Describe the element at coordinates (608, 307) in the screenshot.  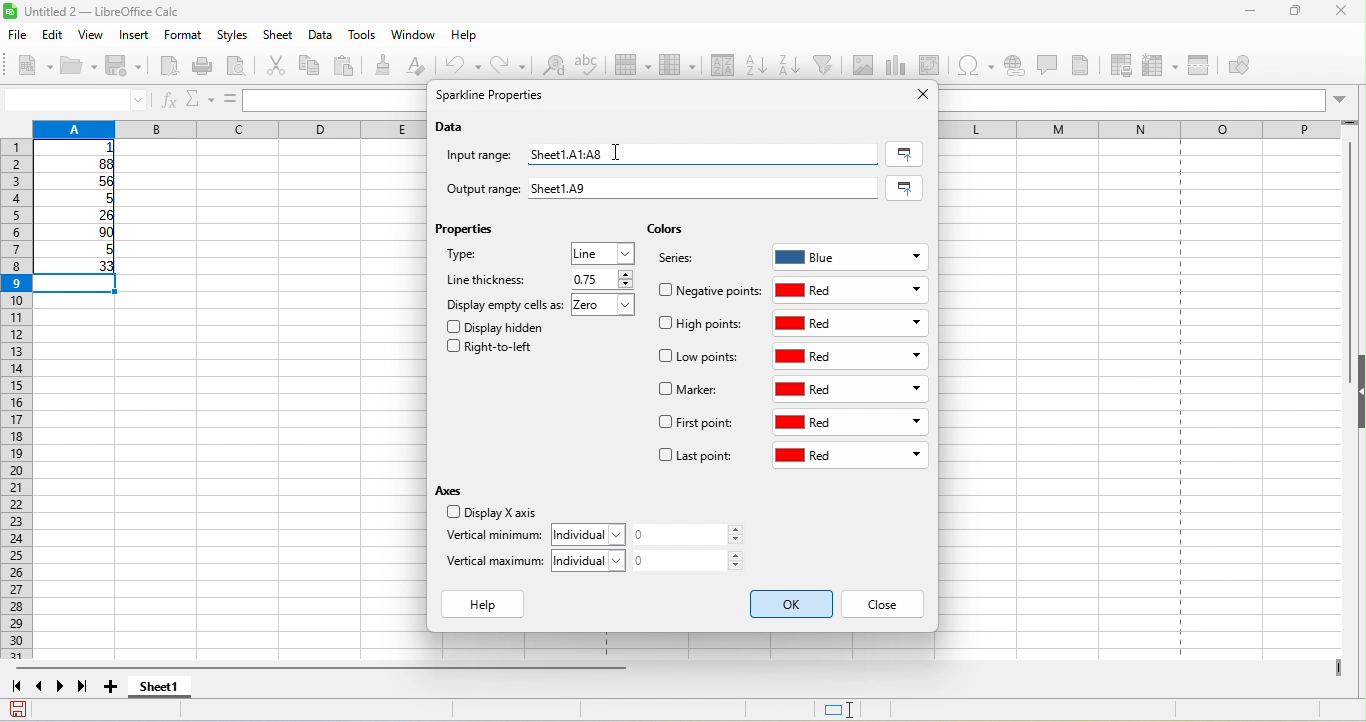
I see `zero` at that location.